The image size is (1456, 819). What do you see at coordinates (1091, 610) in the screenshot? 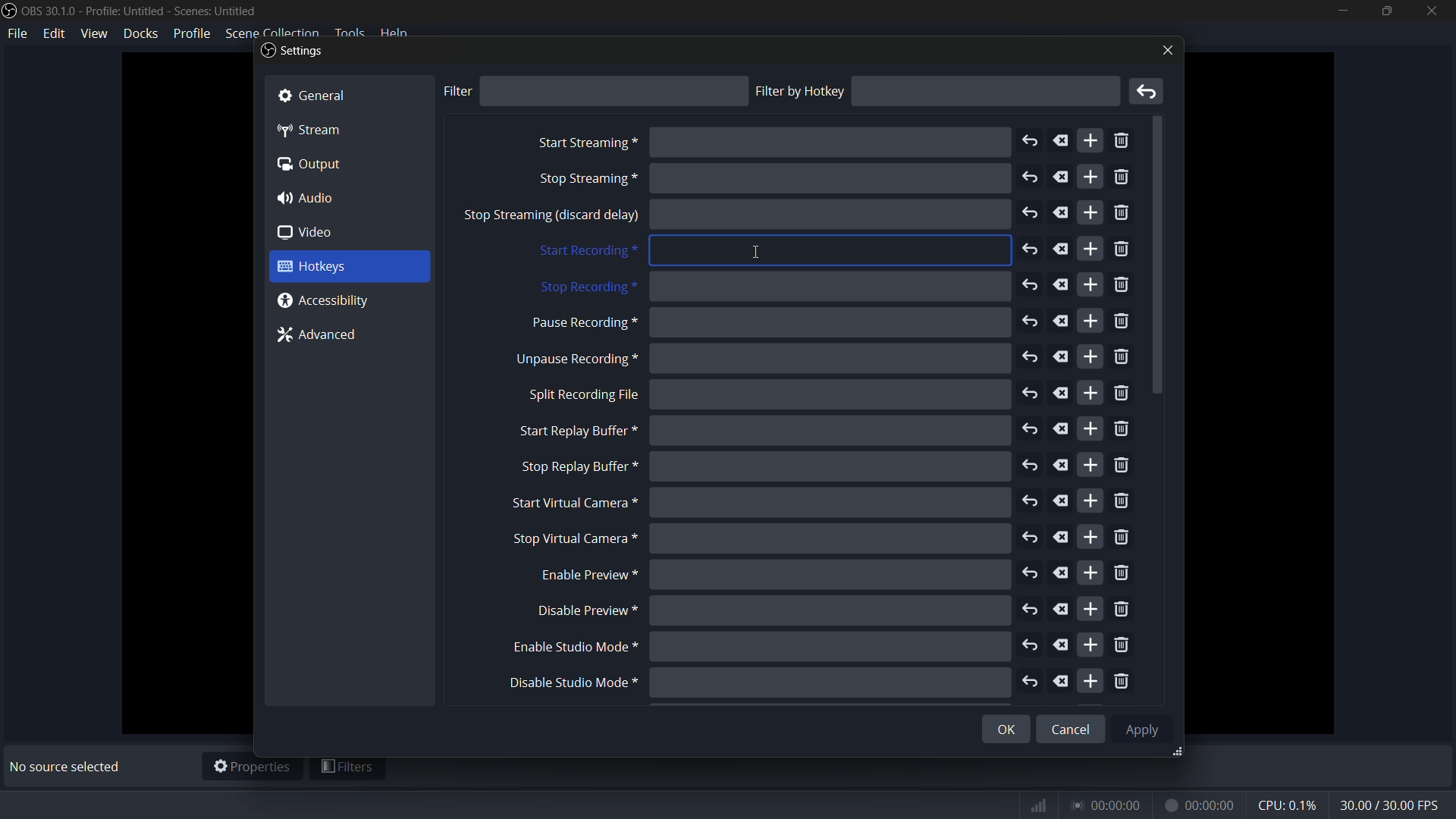
I see `add more` at bounding box center [1091, 610].